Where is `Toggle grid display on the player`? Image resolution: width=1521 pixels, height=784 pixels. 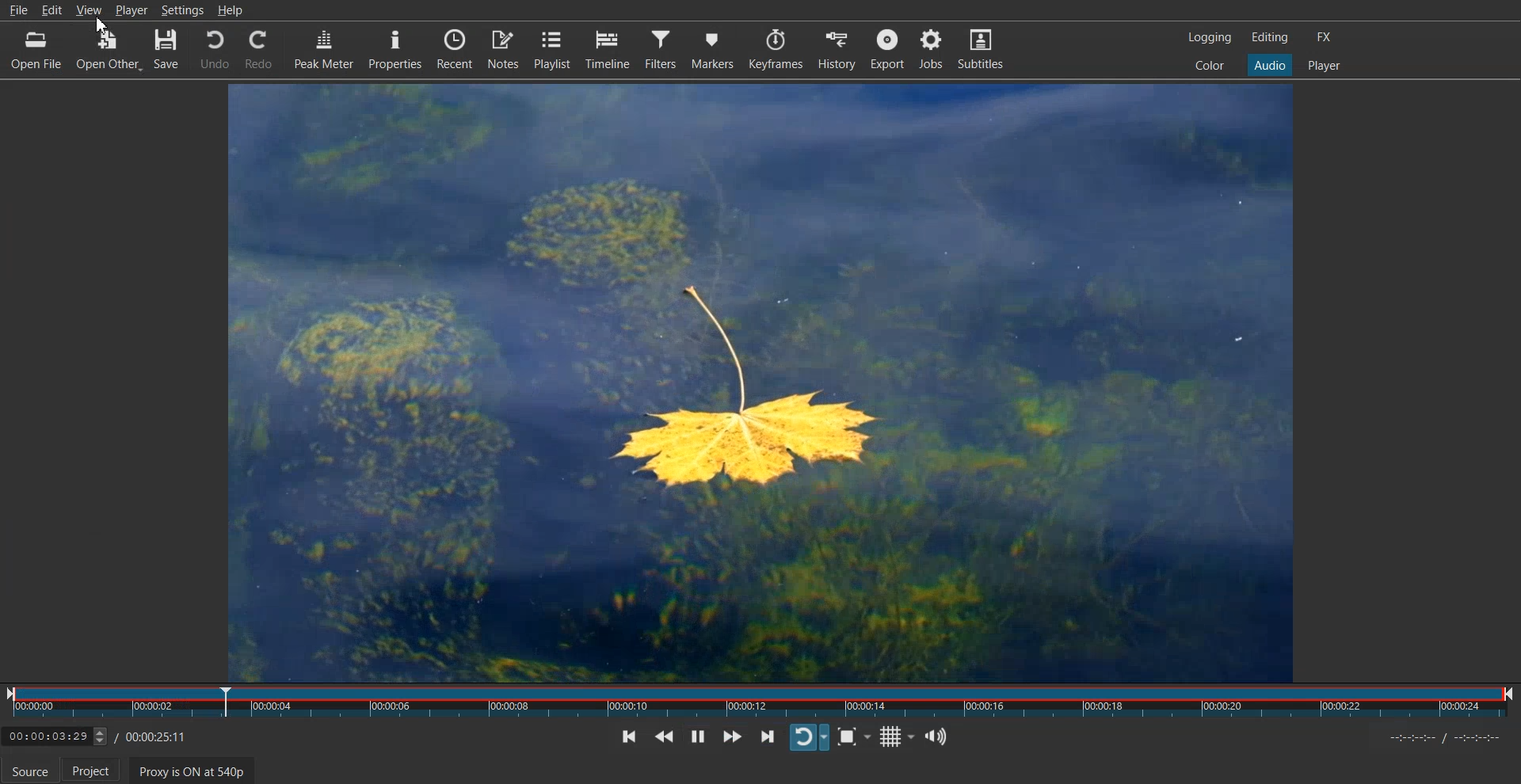 Toggle grid display on the player is located at coordinates (896, 737).